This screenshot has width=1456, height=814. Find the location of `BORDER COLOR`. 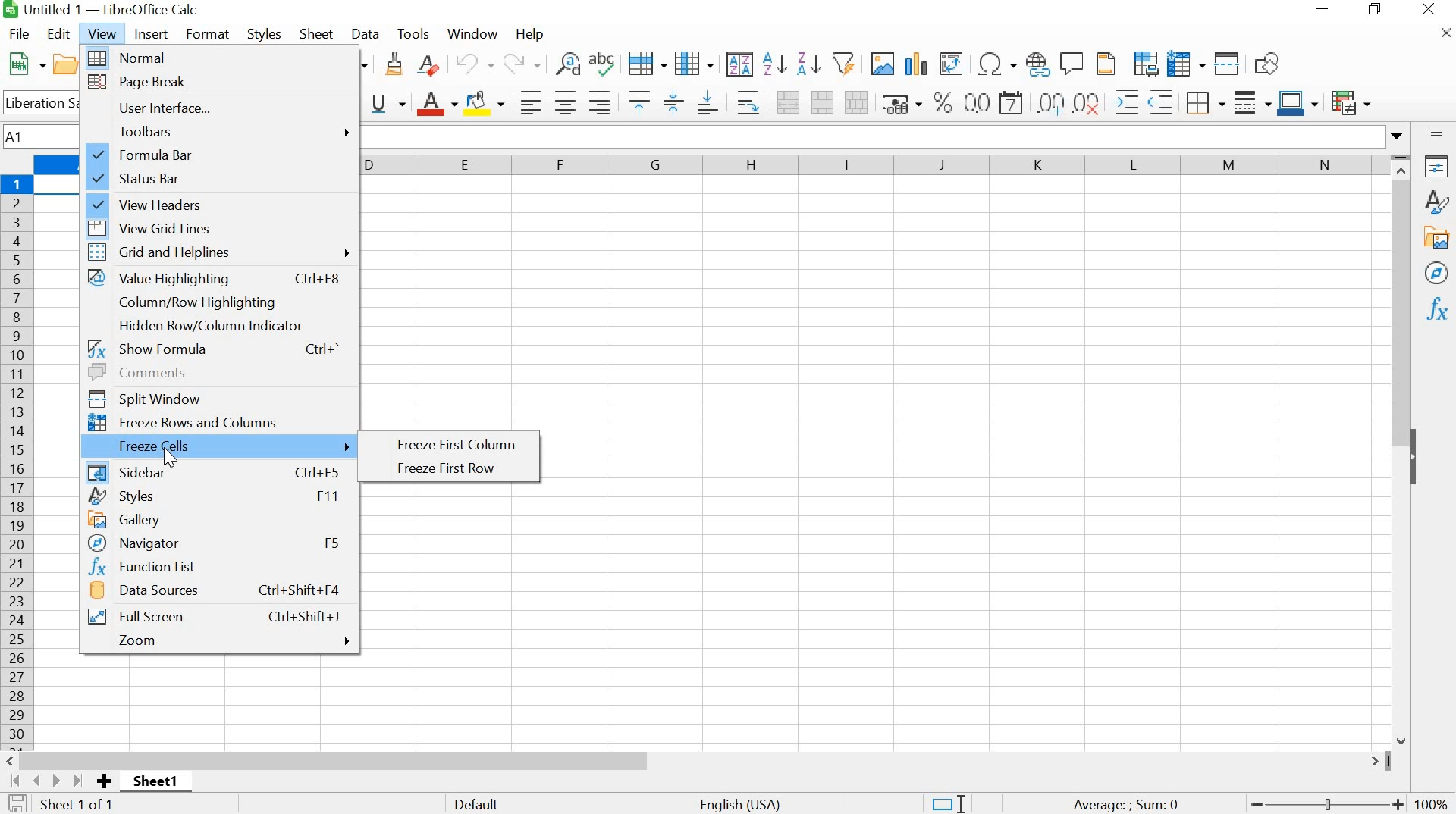

BORDER COLOR is located at coordinates (1297, 101).